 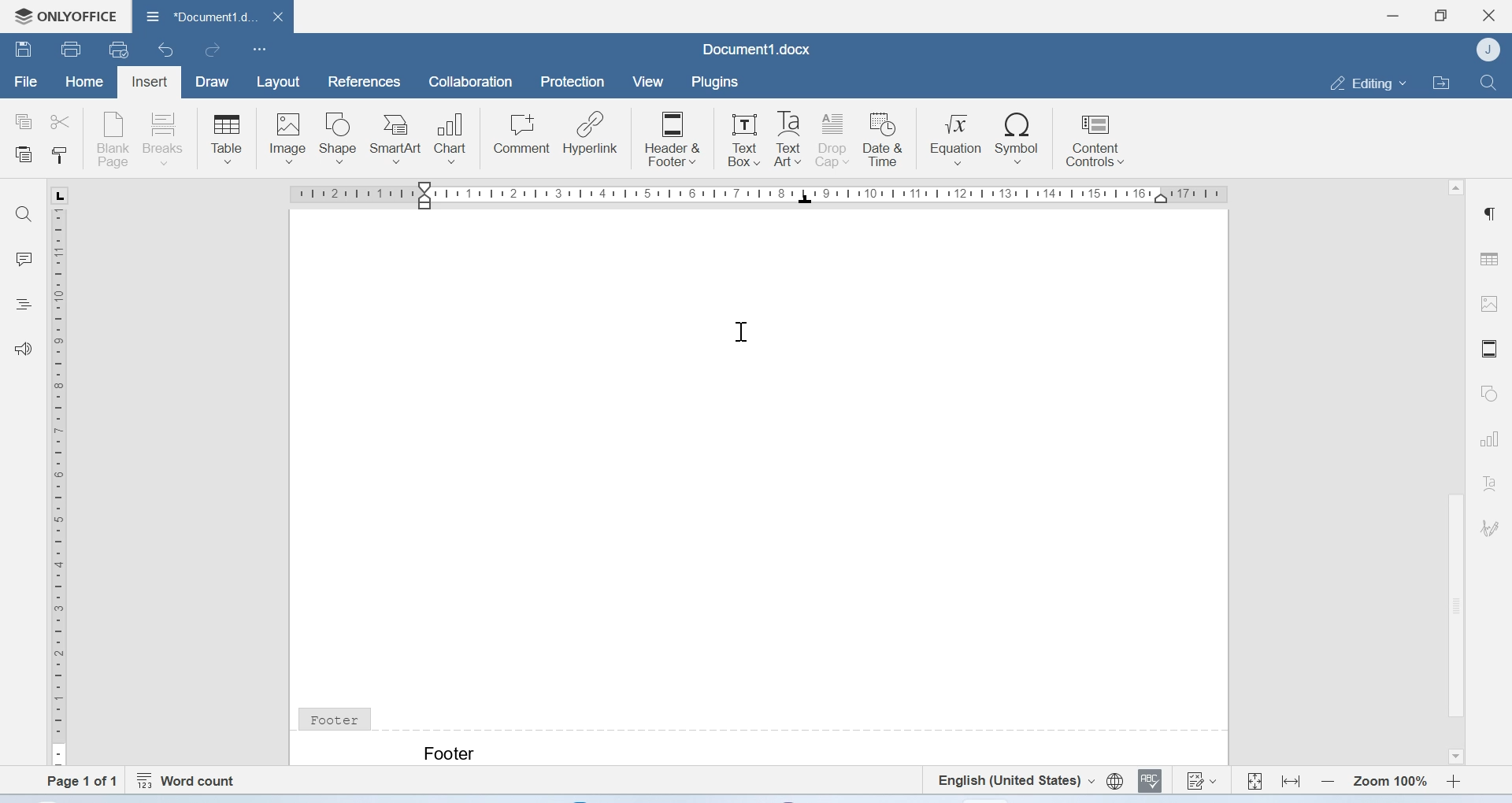 What do you see at coordinates (121, 50) in the screenshot?
I see `uick print` at bounding box center [121, 50].